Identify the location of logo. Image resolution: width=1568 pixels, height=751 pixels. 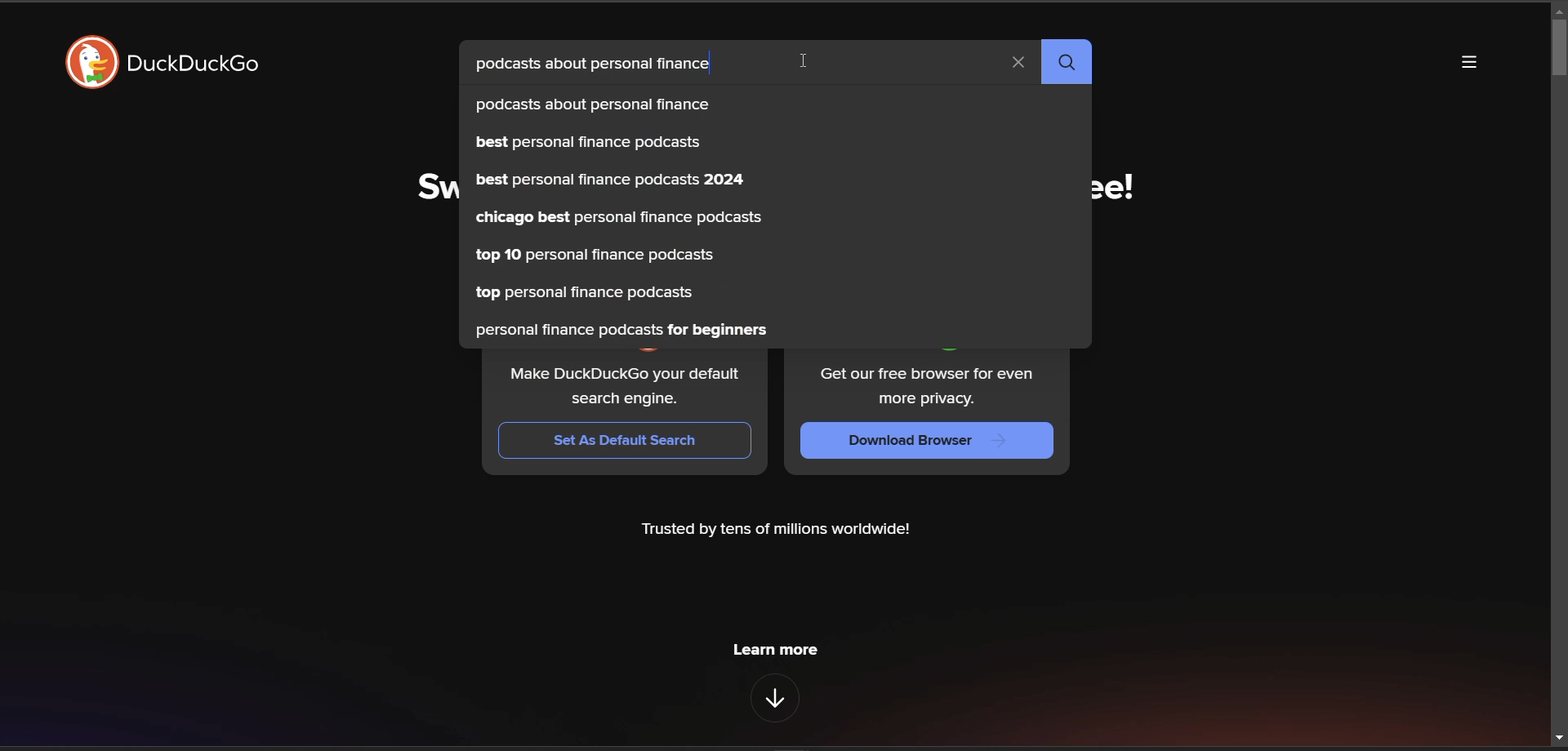
(86, 64).